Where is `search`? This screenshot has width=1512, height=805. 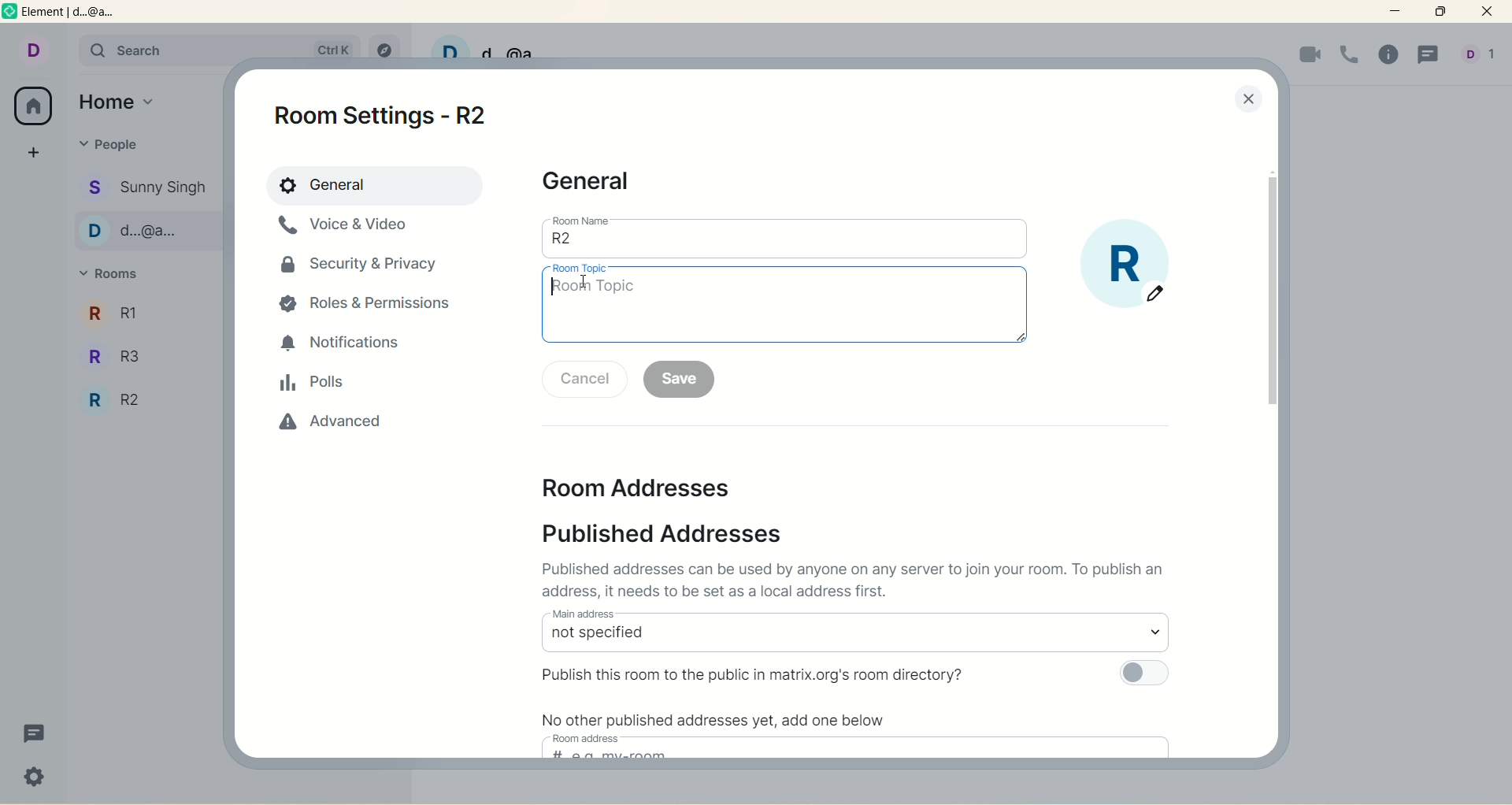
search is located at coordinates (152, 51).